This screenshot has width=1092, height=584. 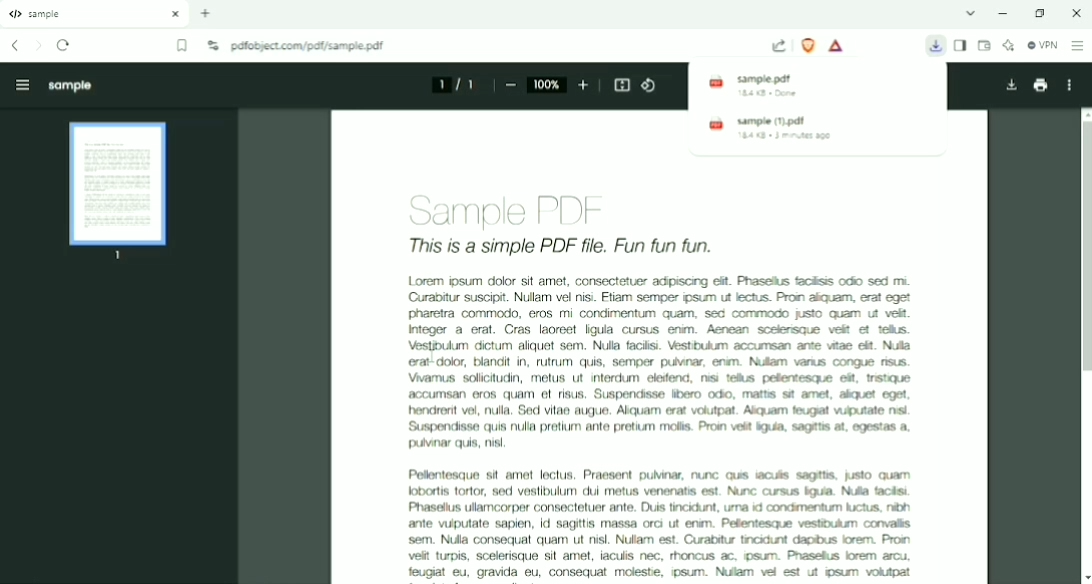 I want to click on Zoom out, so click(x=510, y=86).